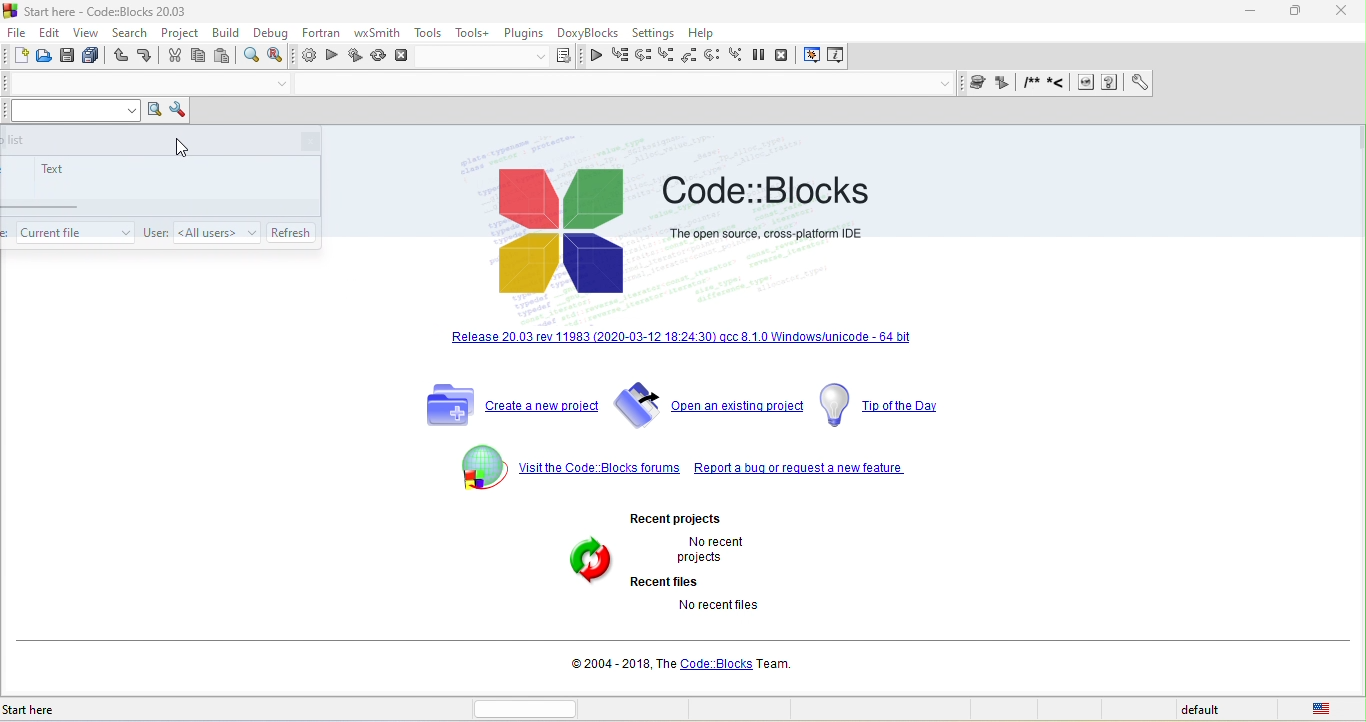  I want to click on wxsmith, so click(377, 32).